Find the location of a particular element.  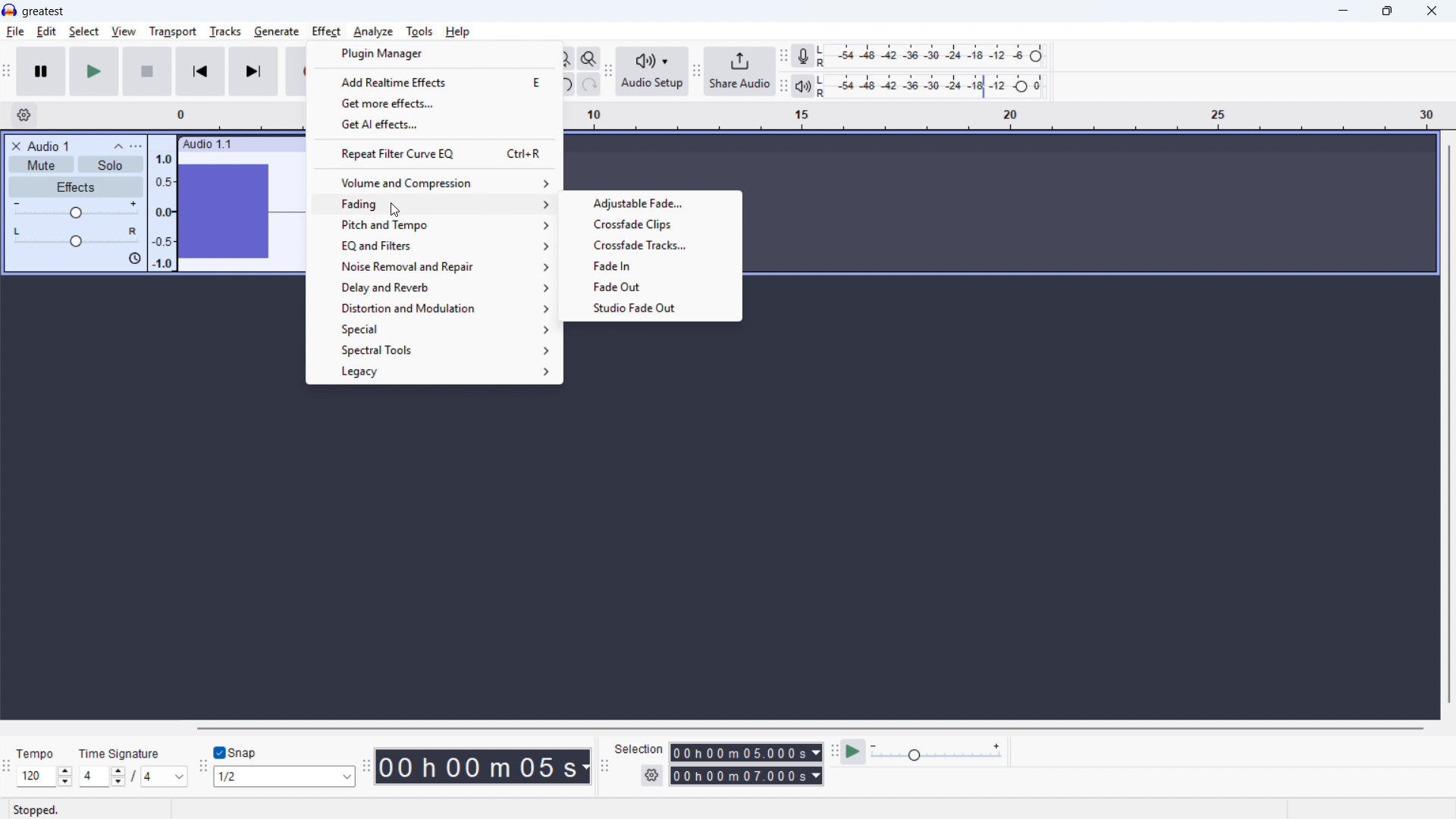

Selection start time  is located at coordinates (747, 752).